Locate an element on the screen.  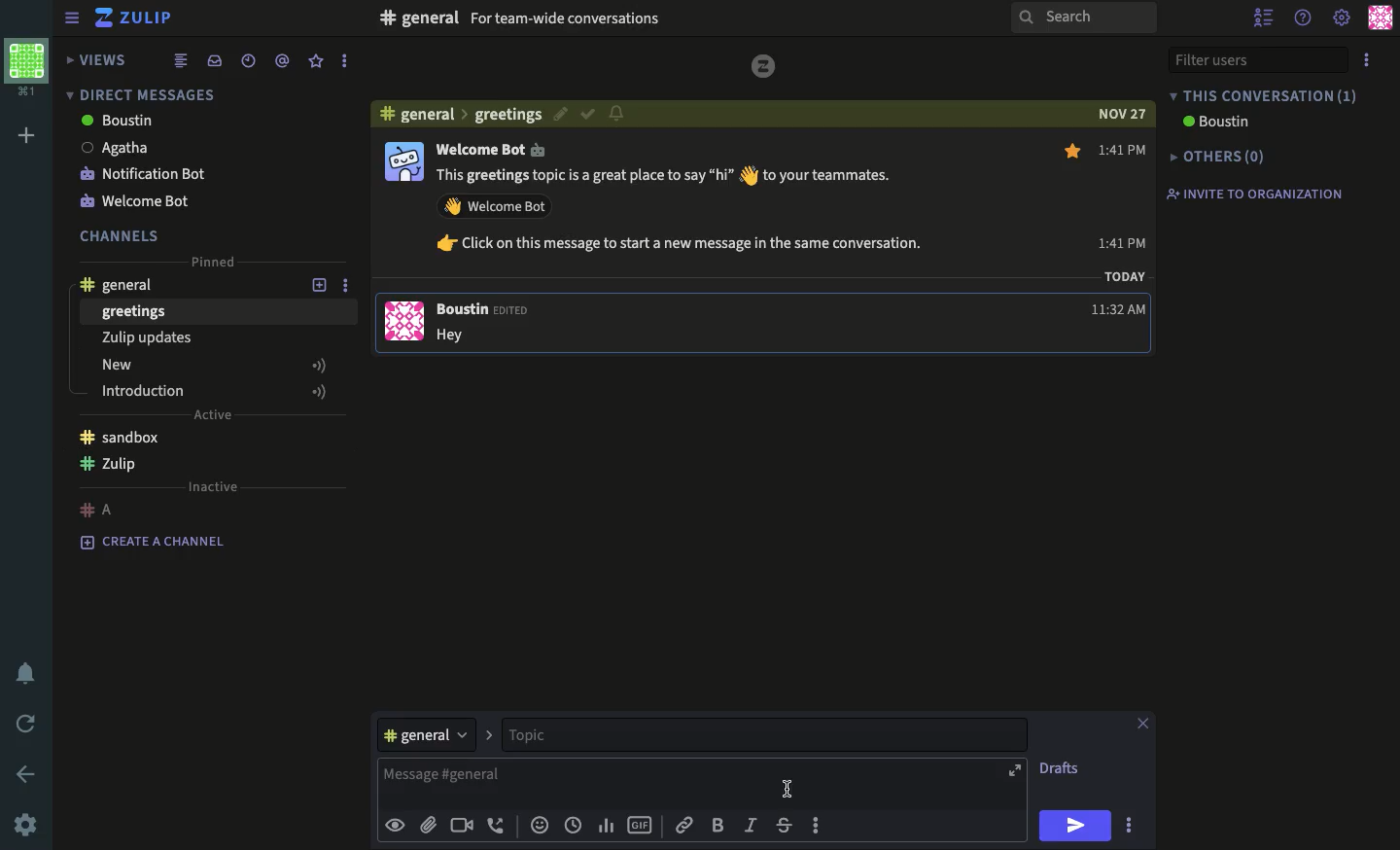
logo is located at coordinates (764, 66).